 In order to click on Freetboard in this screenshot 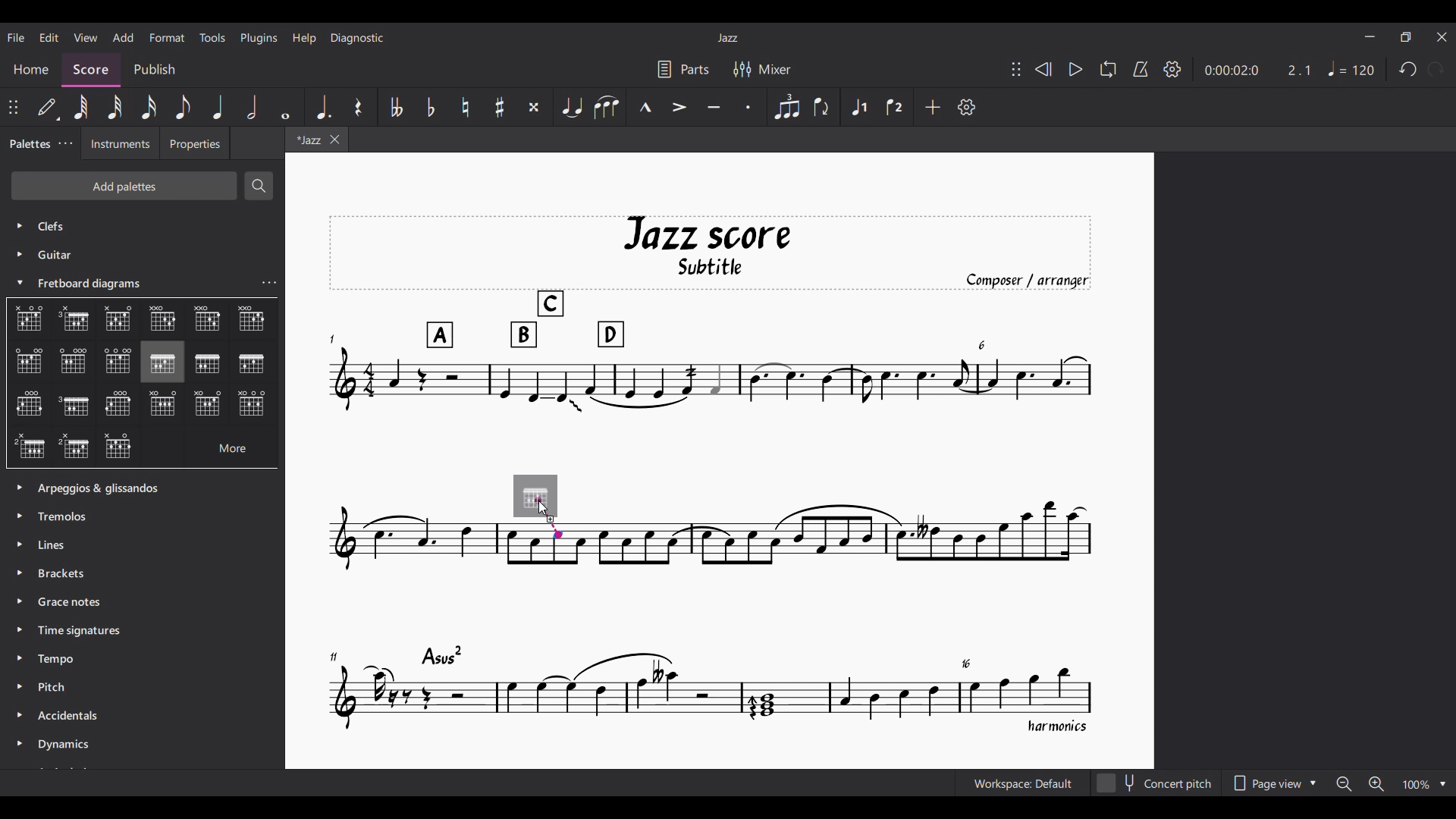, I will do `click(97, 284)`.